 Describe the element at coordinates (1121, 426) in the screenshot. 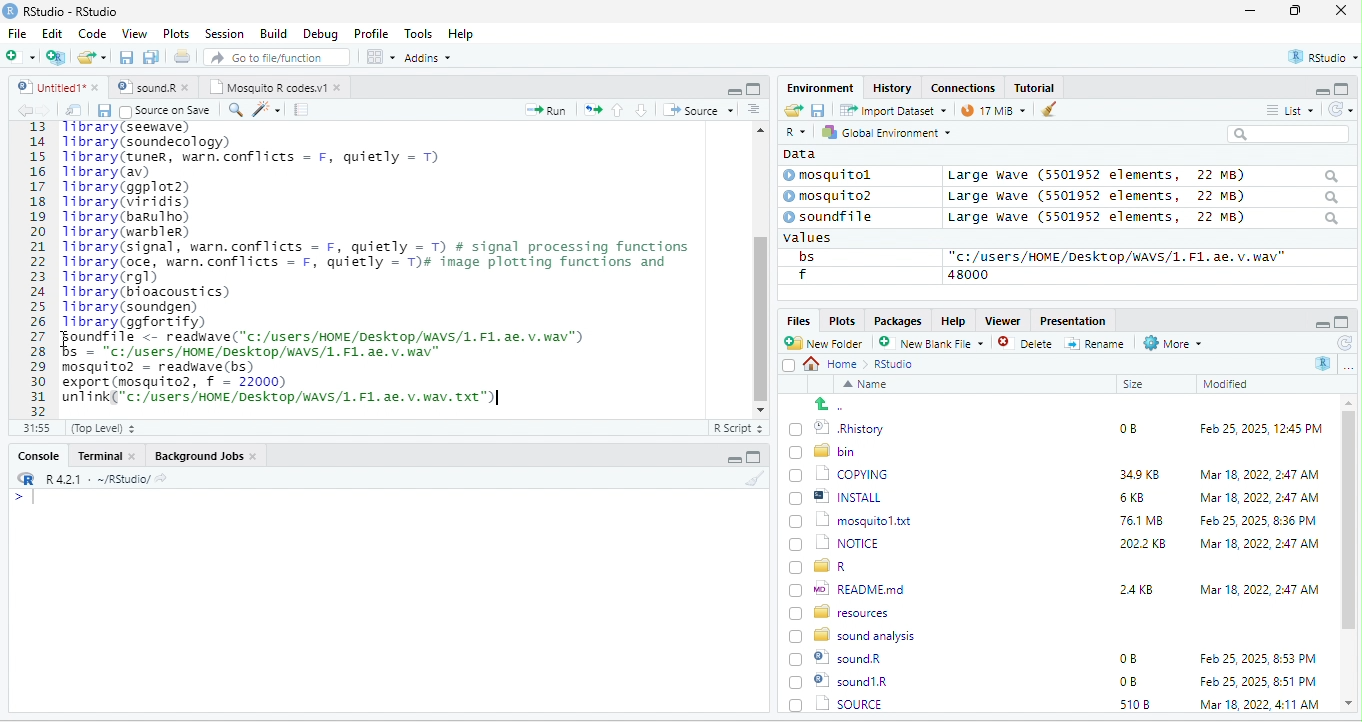

I see `0B` at that location.